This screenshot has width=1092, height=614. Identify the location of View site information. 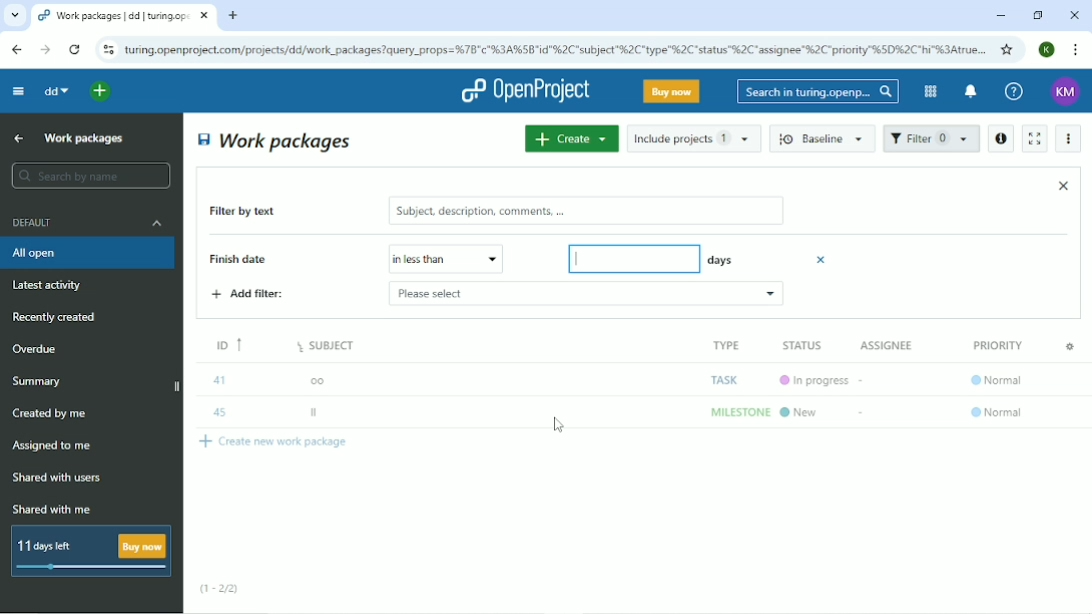
(108, 50).